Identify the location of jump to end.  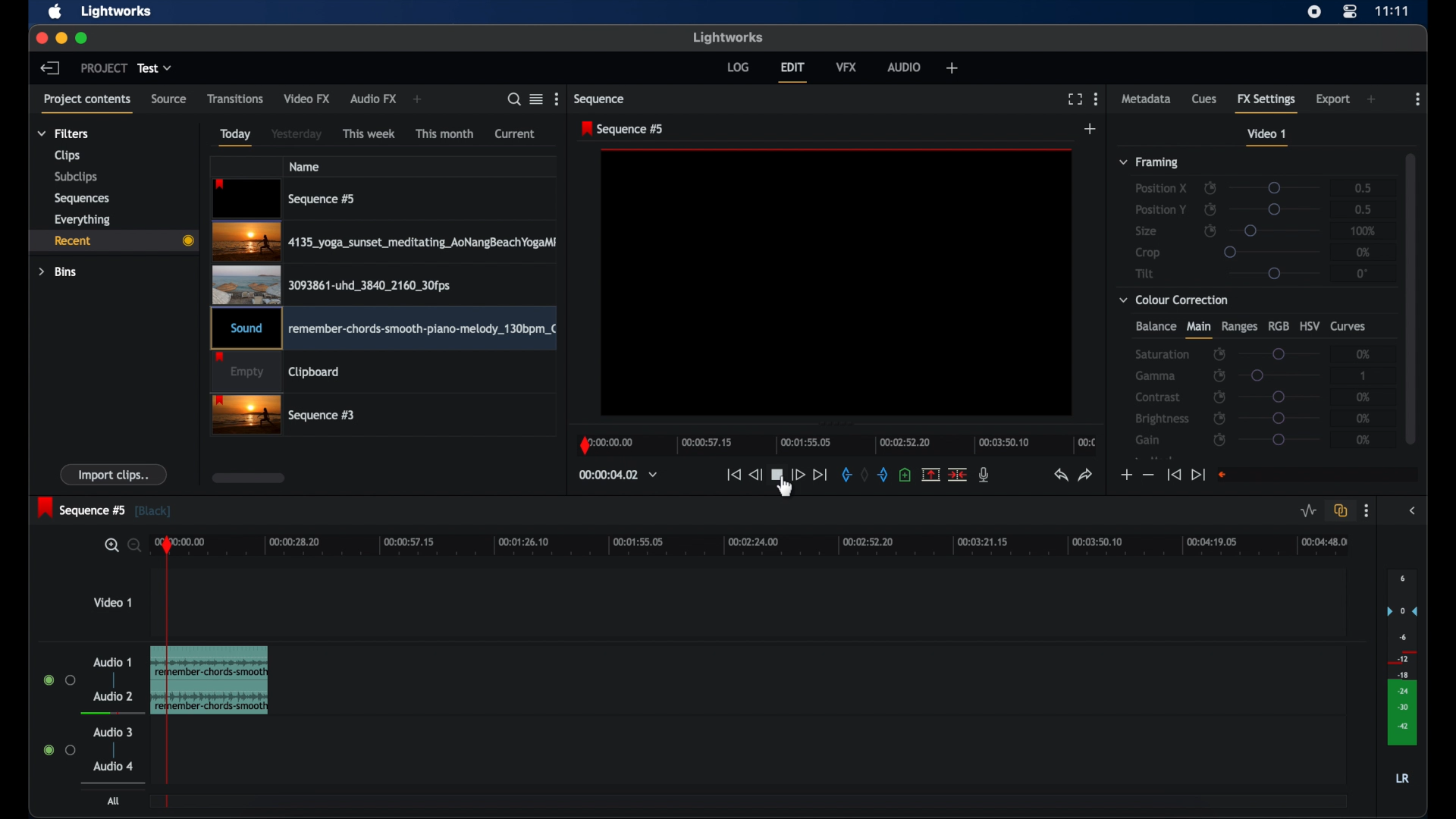
(821, 475).